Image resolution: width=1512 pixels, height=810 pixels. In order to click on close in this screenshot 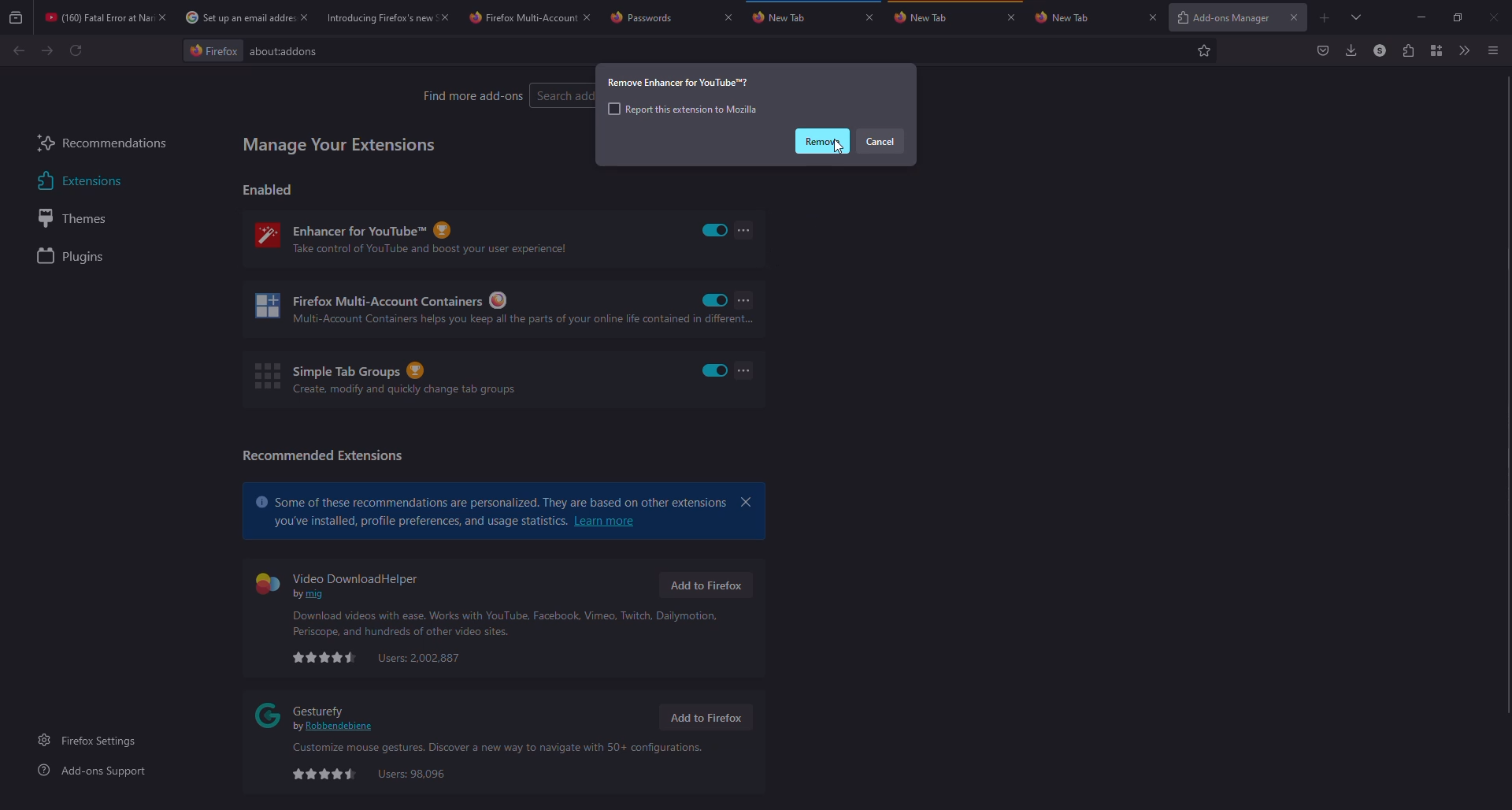, I will do `click(1495, 18)`.